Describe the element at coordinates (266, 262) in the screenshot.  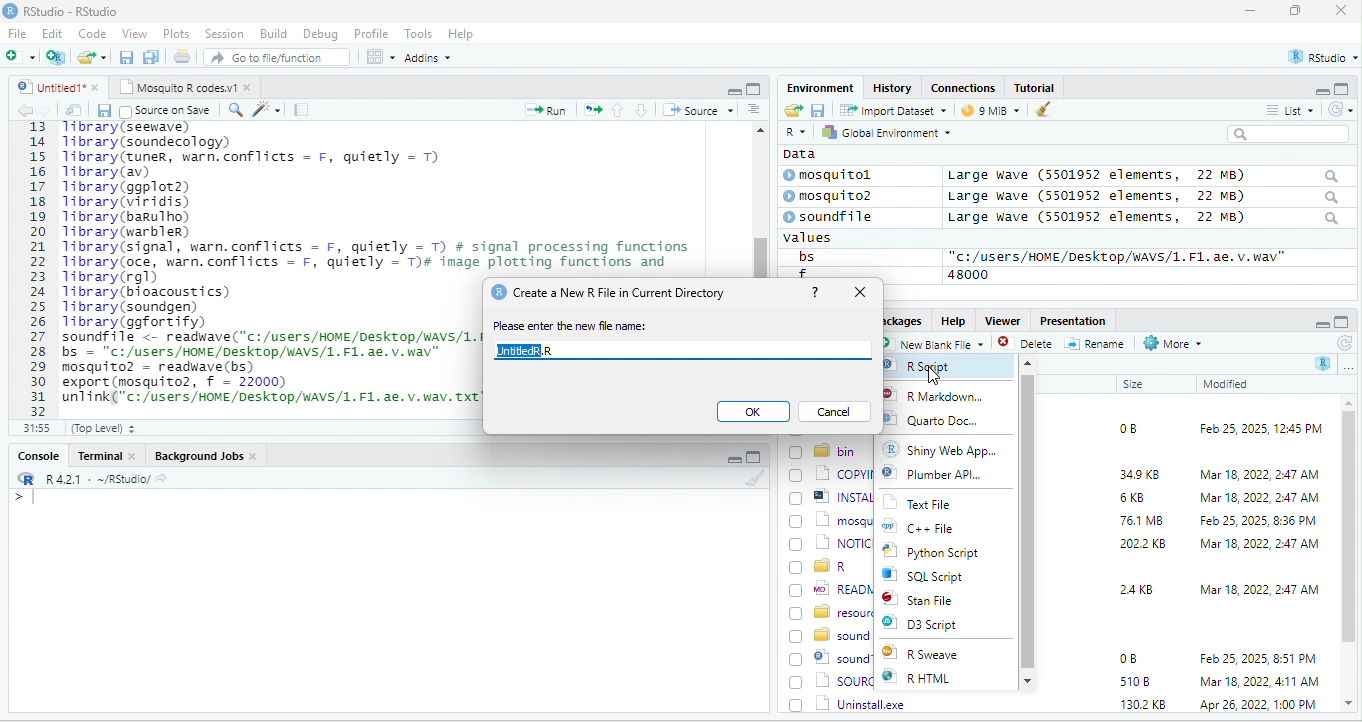
I see `fipt 2 (0) ©] Rhistory 0B Feb 25, 2025, 12:45 PM
oO bin
0) 1) copying 349K8 Mar 18,2022, 247 AM
(J ®] INSTALL 6KB Mar 18, 2022, 247 AM
(0 1) mosauitoxt T6IMB Feb 25,2025 8:36 PM
0 [3 norce 2002K8 Mar 18, 2022, 247 AM
0 @r
(7) %) READMEmd 248 Mar 18, 2022, 247 AM
(0) resources
[5 sound analysis
(0) ©) soundiR LO Feb 25, 2025, 851 PM
0 1 source s108 Mar 18, 2022, 41 AM
(71 Uninstallexe 1302KB  Apr26,2022 1.00PM ¥` at that location.